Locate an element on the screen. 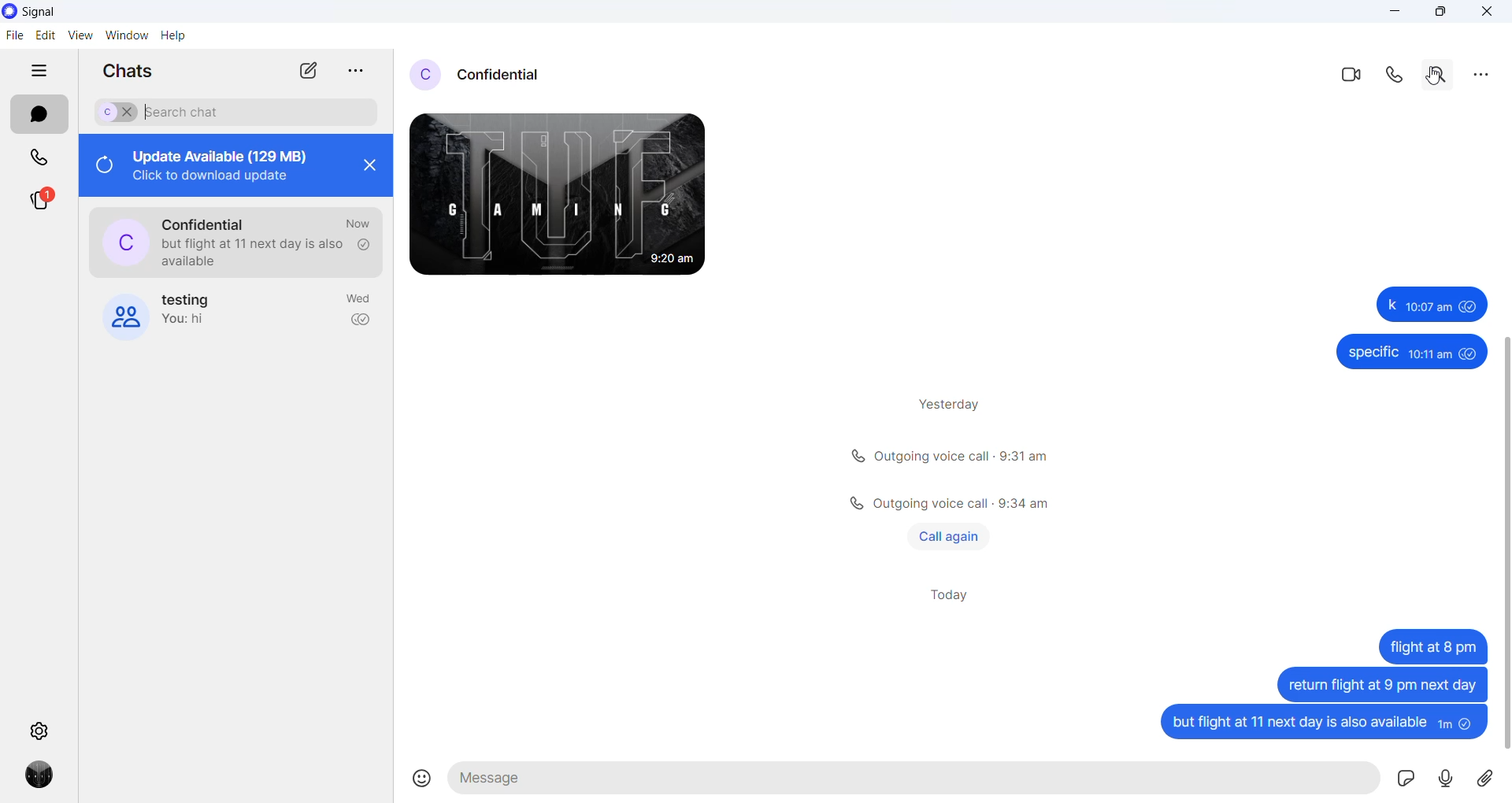 This screenshot has width=1512, height=803. stories is located at coordinates (41, 205).